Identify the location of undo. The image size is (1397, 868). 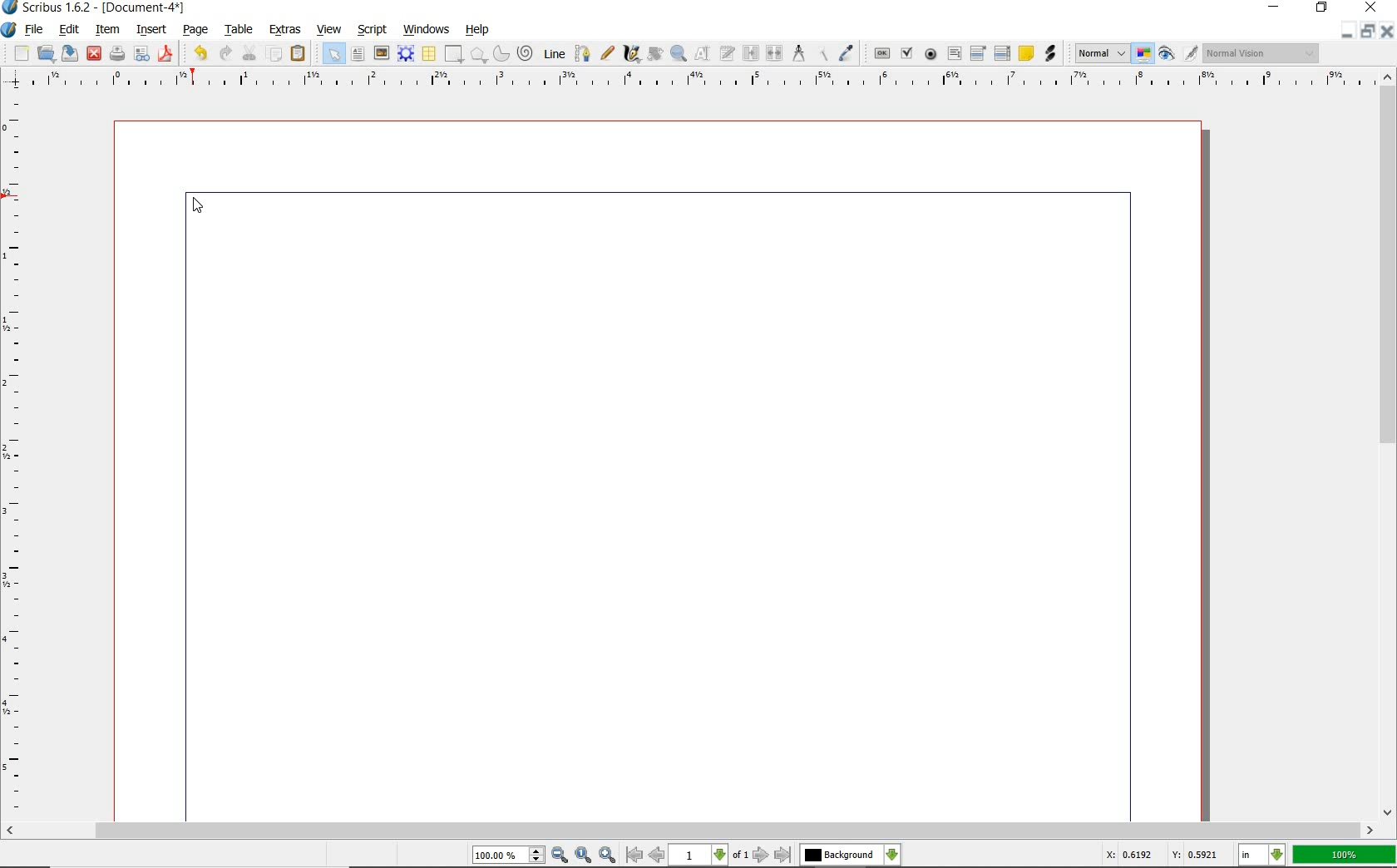
(198, 53).